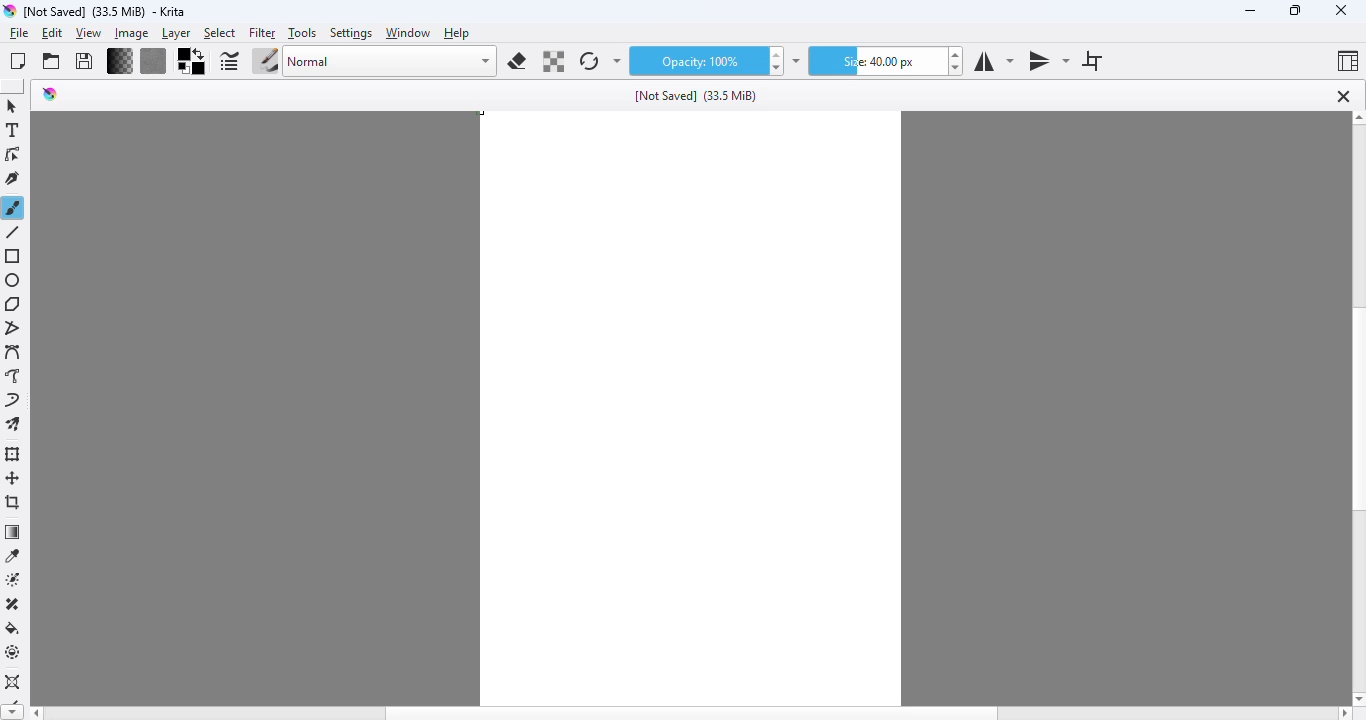  I want to click on horizontal mirror tool, so click(994, 61).